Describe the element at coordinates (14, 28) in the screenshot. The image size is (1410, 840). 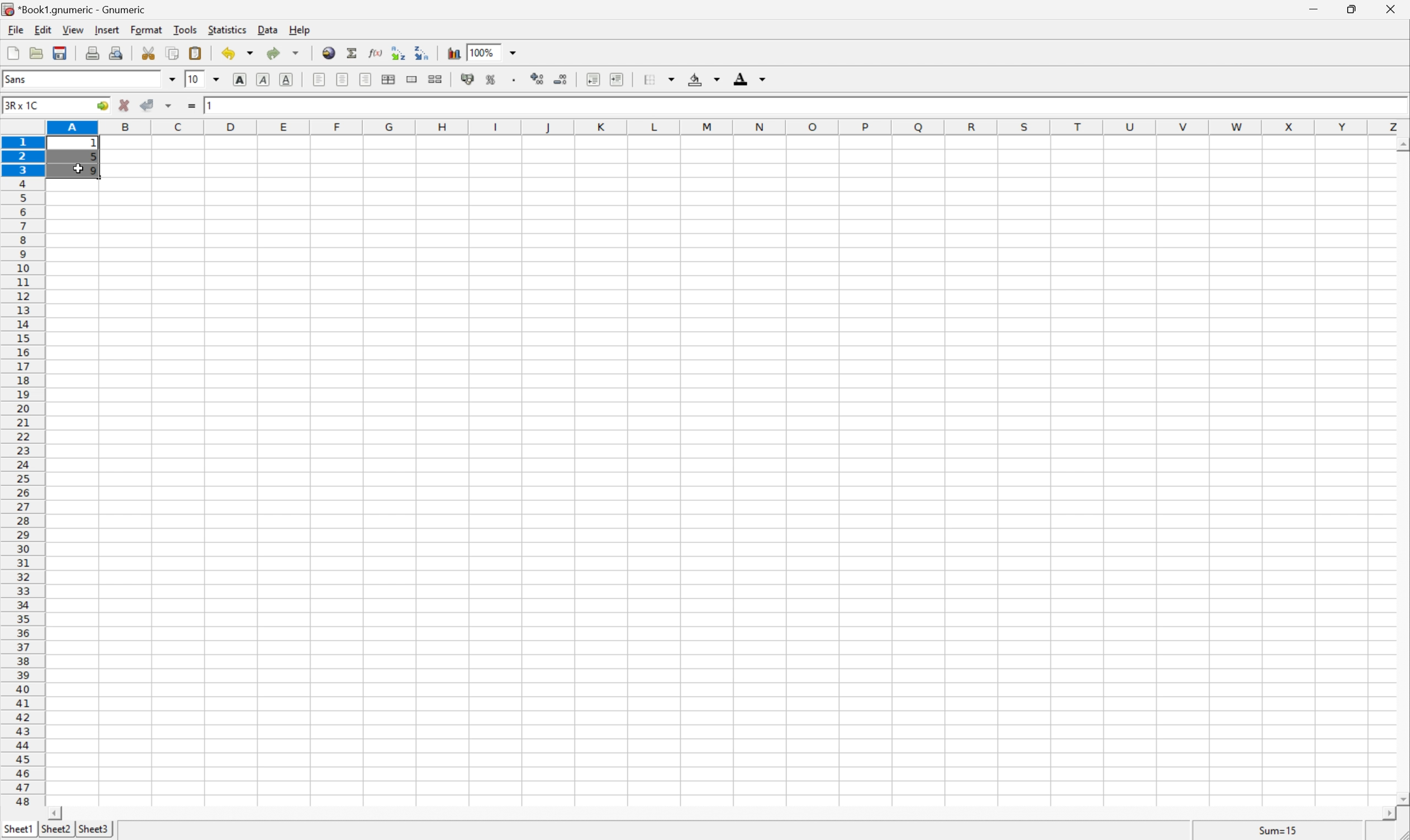
I see `file` at that location.